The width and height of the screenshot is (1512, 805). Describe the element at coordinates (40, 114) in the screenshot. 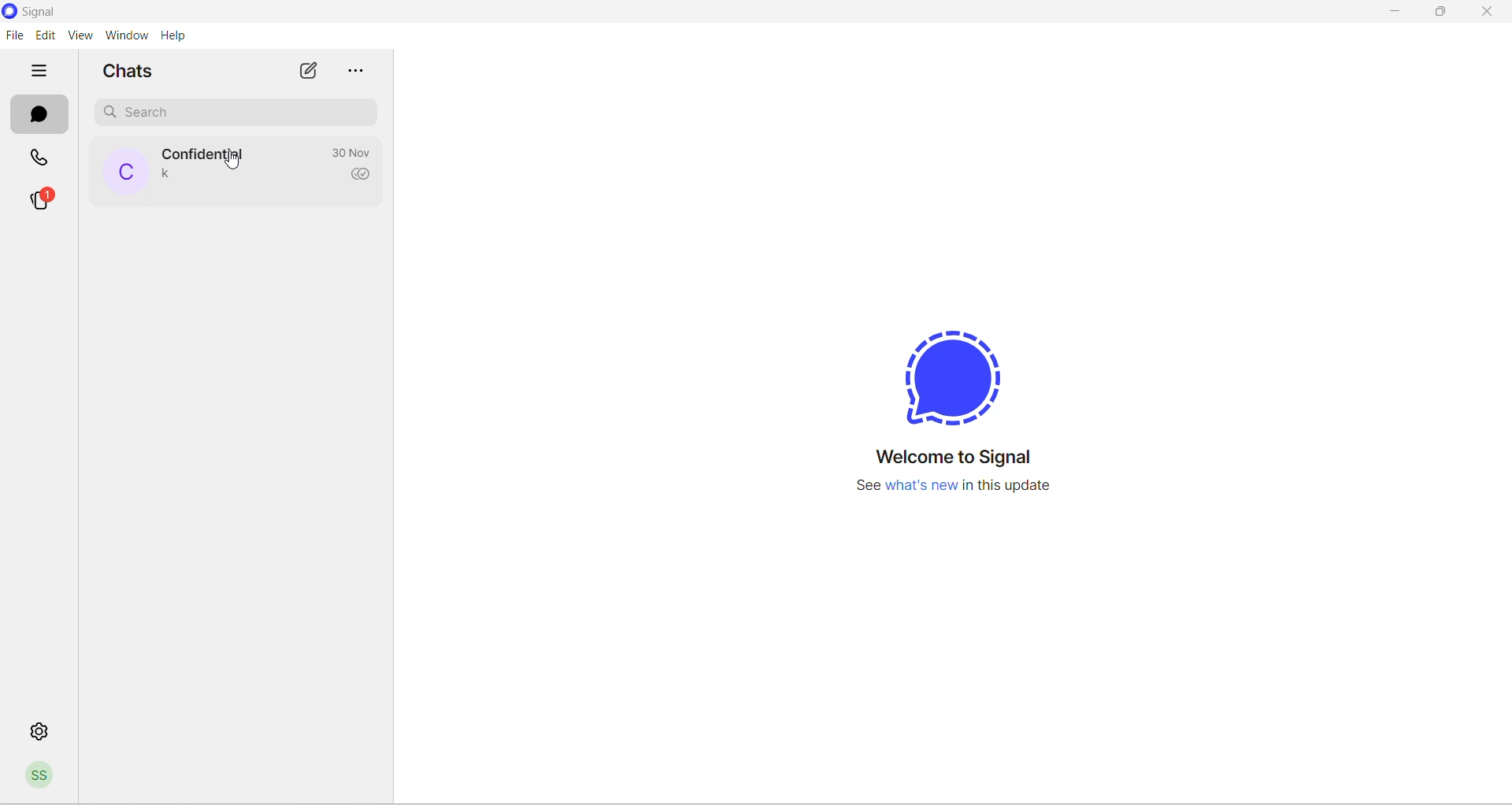

I see `chats` at that location.